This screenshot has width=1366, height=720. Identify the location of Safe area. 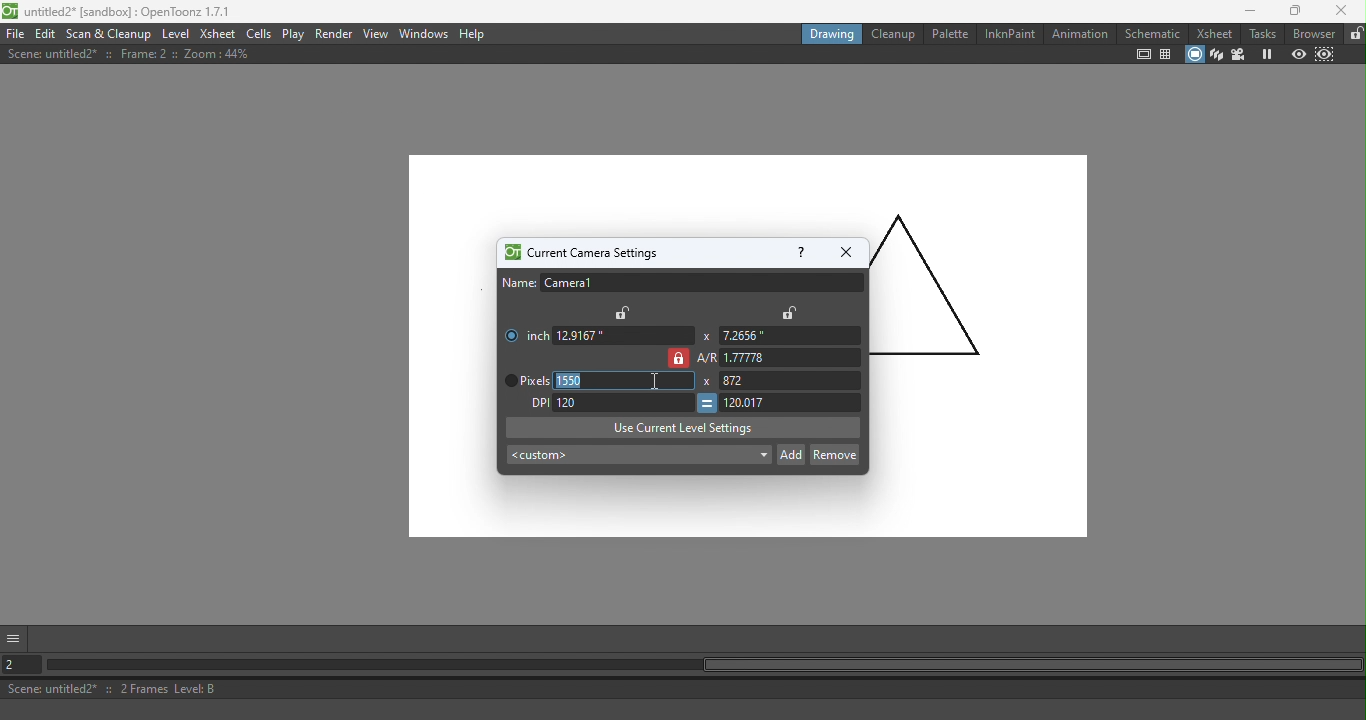
(1144, 55).